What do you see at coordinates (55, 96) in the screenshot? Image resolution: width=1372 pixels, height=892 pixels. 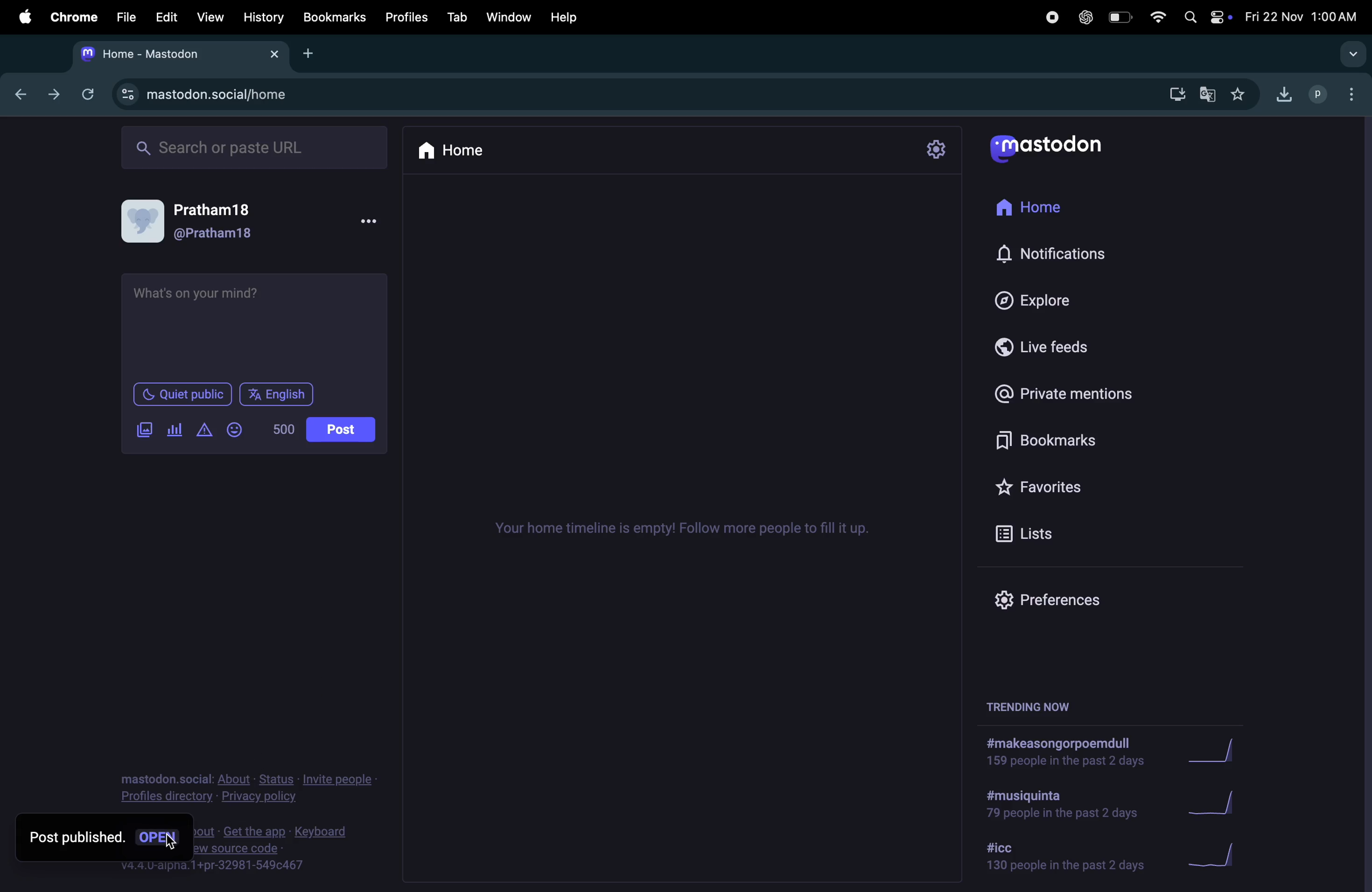 I see `forward` at bounding box center [55, 96].